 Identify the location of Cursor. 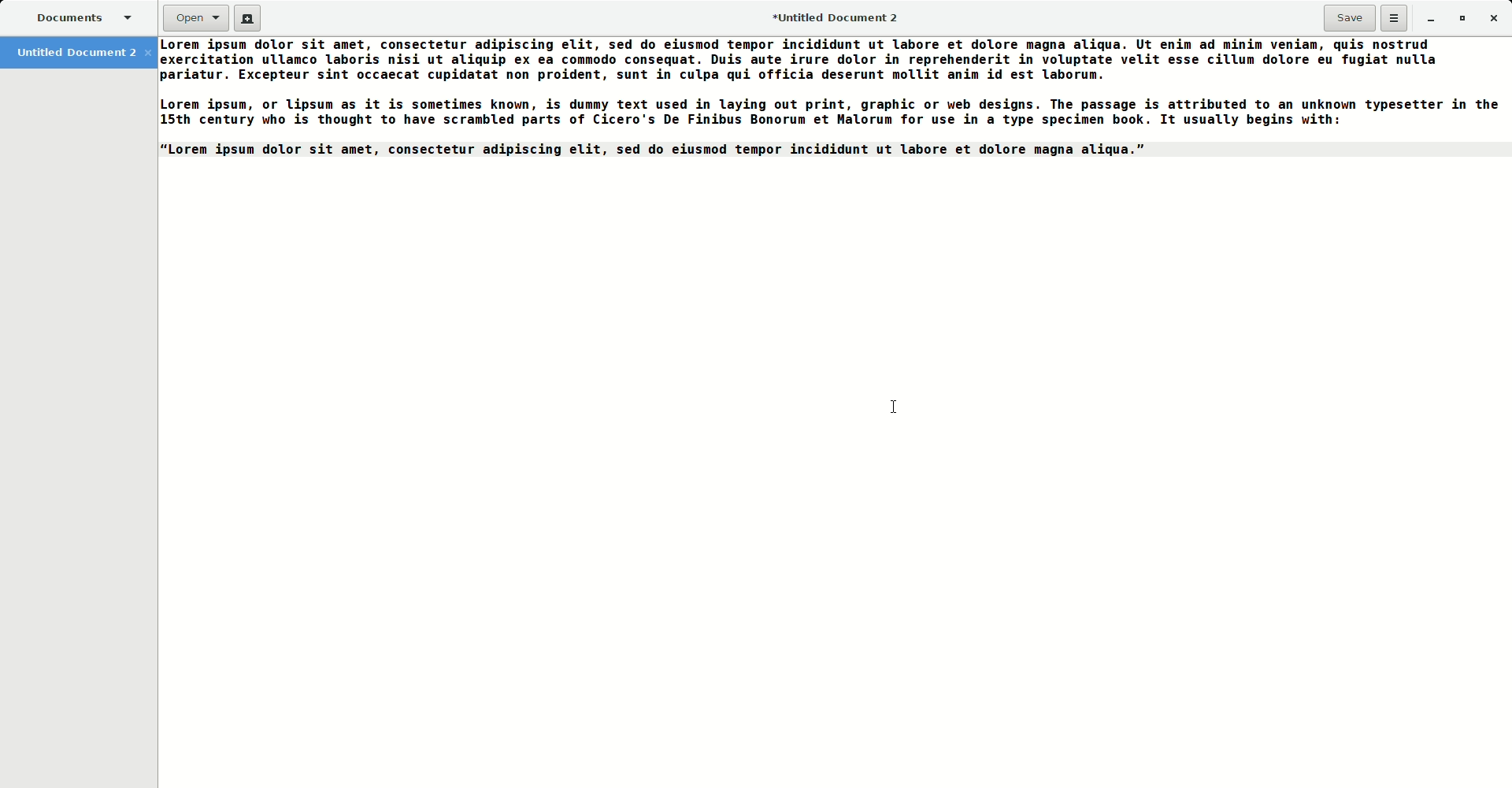
(891, 406).